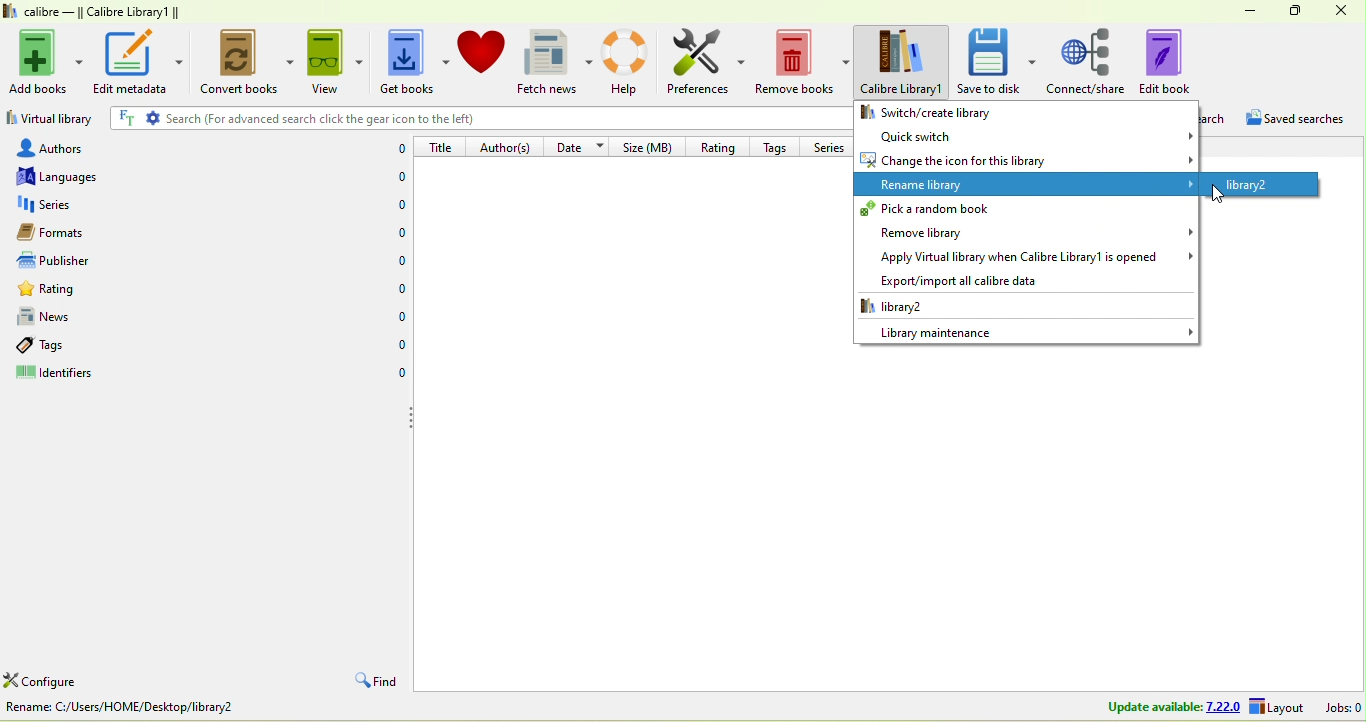  I want to click on choose calibre library to work with calibrery library 1 [0 books], so click(197, 710).